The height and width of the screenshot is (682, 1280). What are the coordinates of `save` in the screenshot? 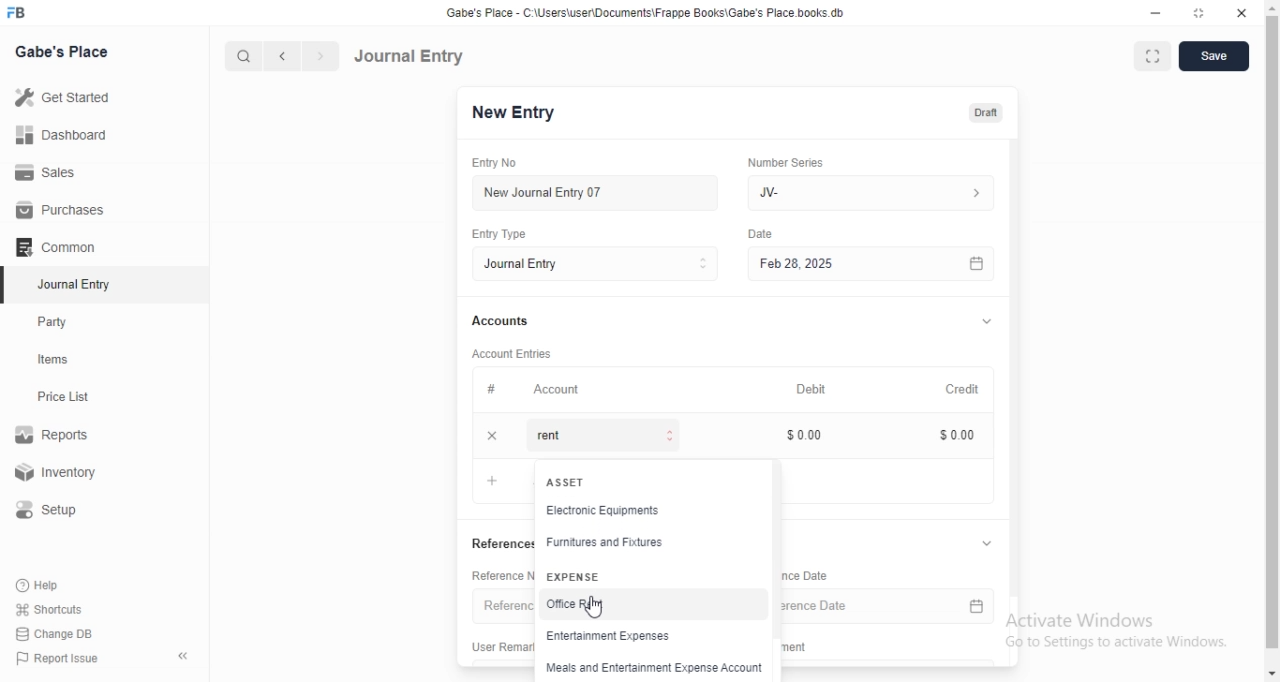 It's located at (1215, 58).